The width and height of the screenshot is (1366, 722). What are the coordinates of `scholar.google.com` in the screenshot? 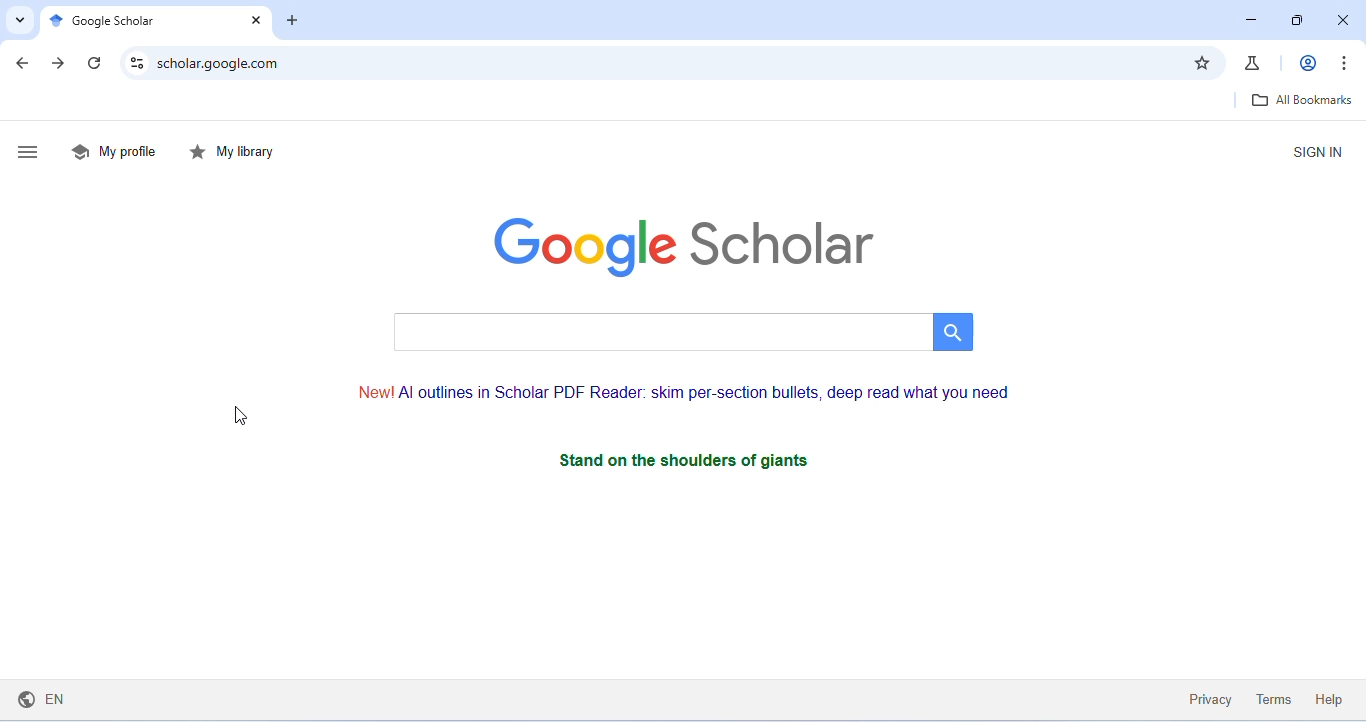 It's located at (665, 63).